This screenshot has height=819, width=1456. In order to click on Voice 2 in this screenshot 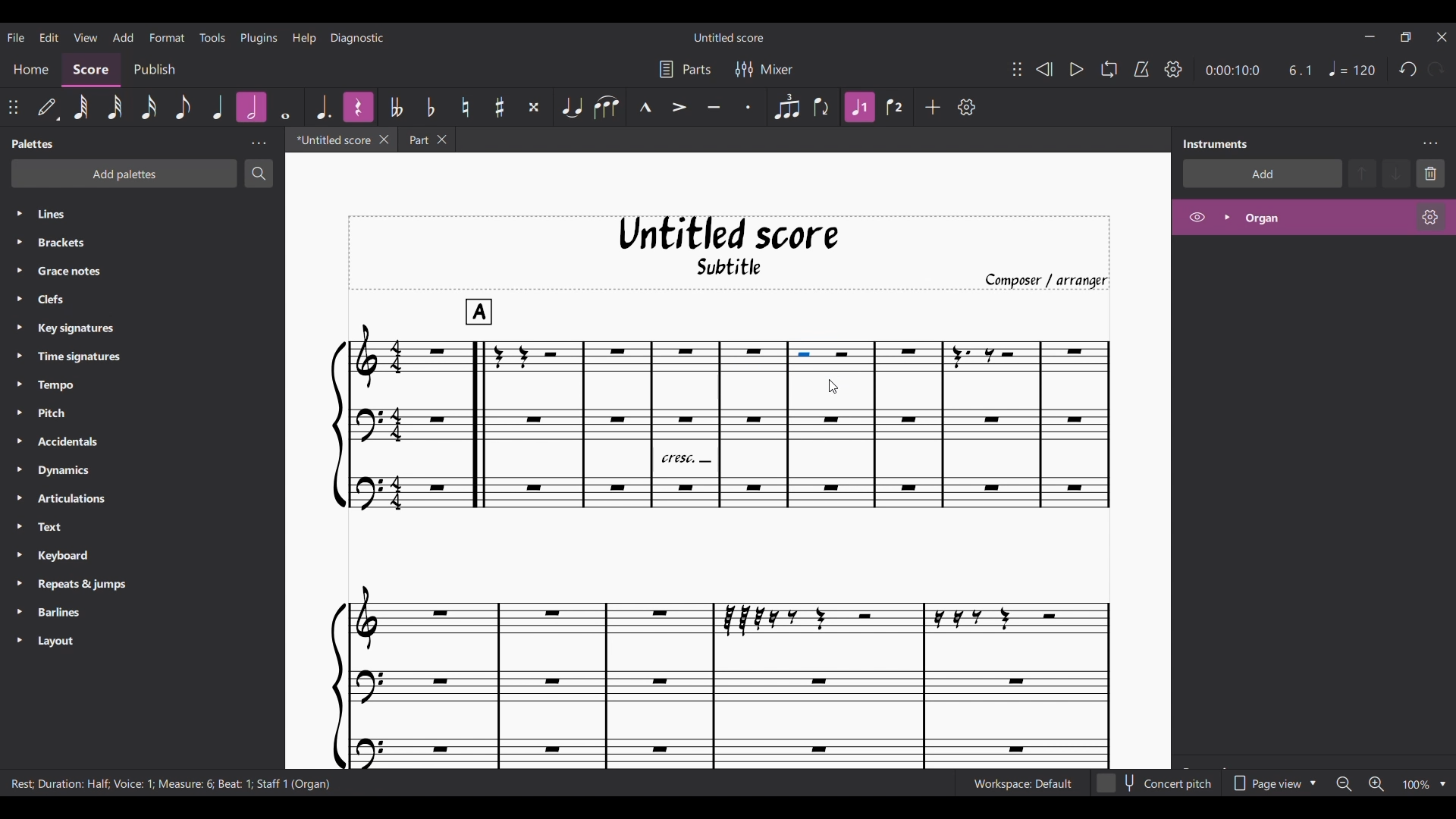, I will do `click(895, 107)`.